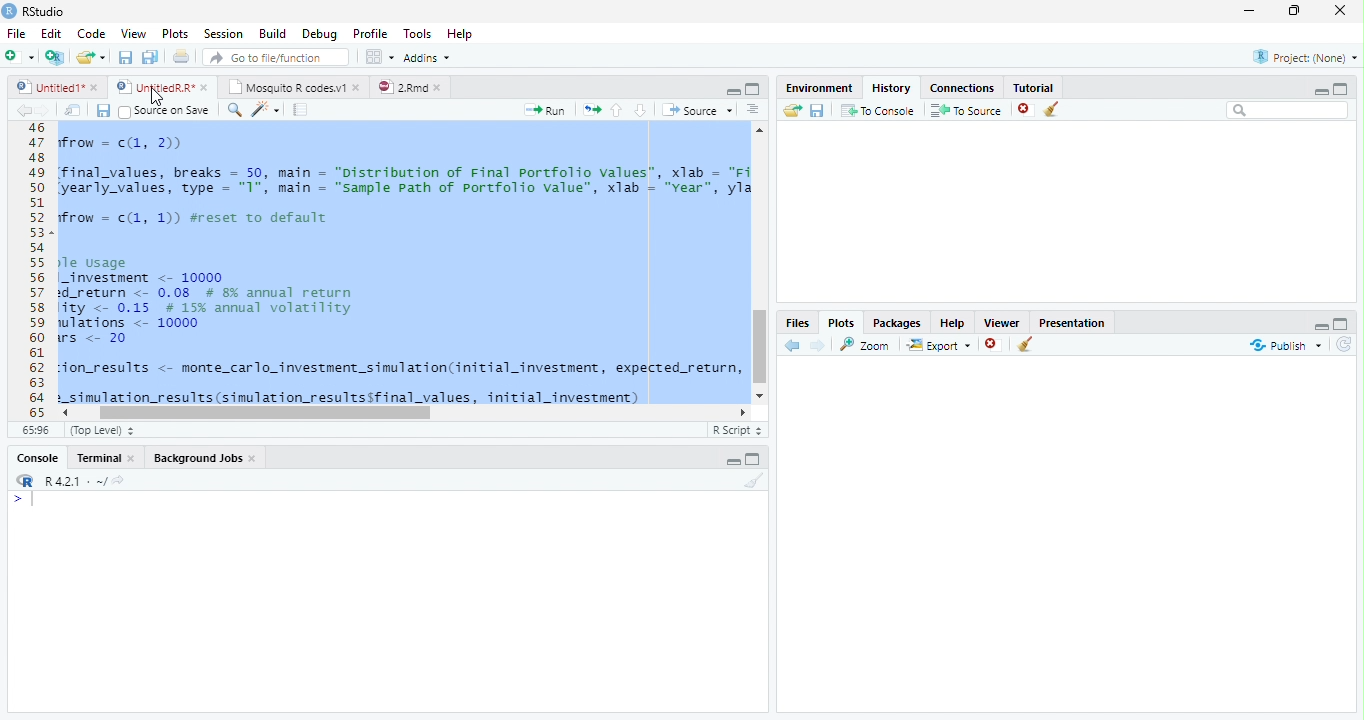 Image resolution: width=1364 pixels, height=720 pixels. I want to click on Find and replace, so click(235, 110).